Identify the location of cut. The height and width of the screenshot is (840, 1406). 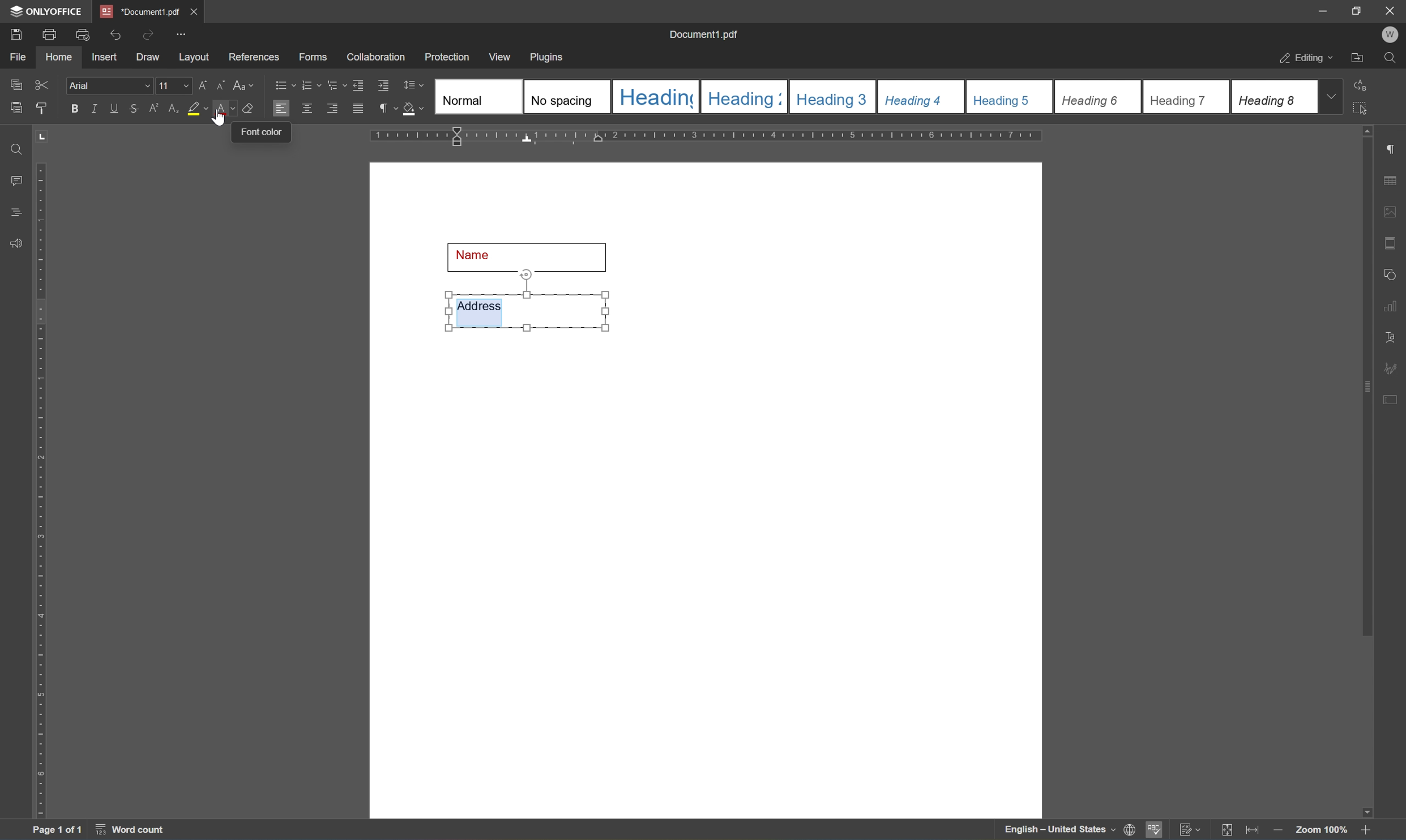
(45, 84).